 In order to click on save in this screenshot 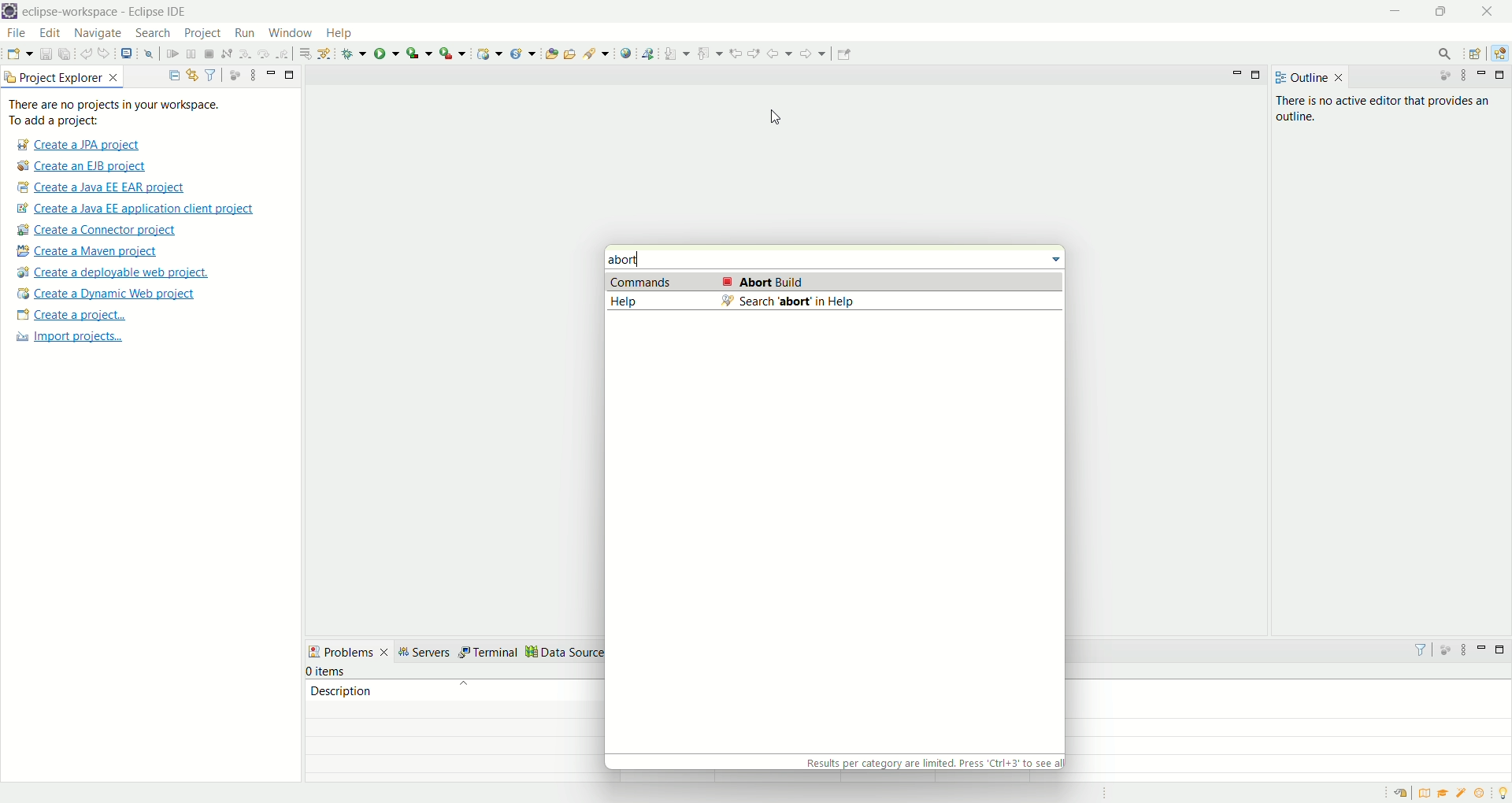, I will do `click(42, 54)`.